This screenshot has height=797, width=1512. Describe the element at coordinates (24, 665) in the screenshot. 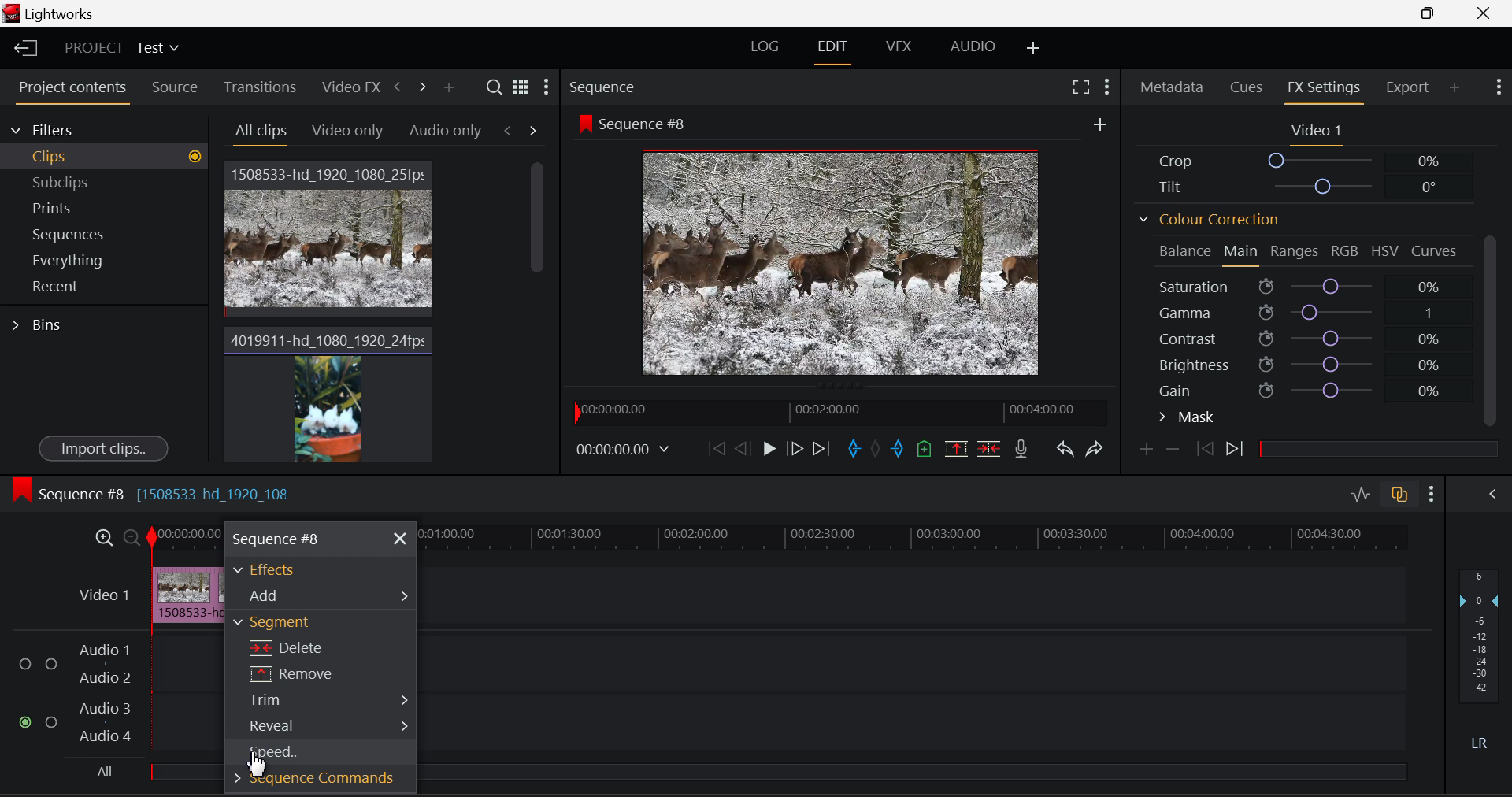

I see `Audio Input Checkbox` at that location.